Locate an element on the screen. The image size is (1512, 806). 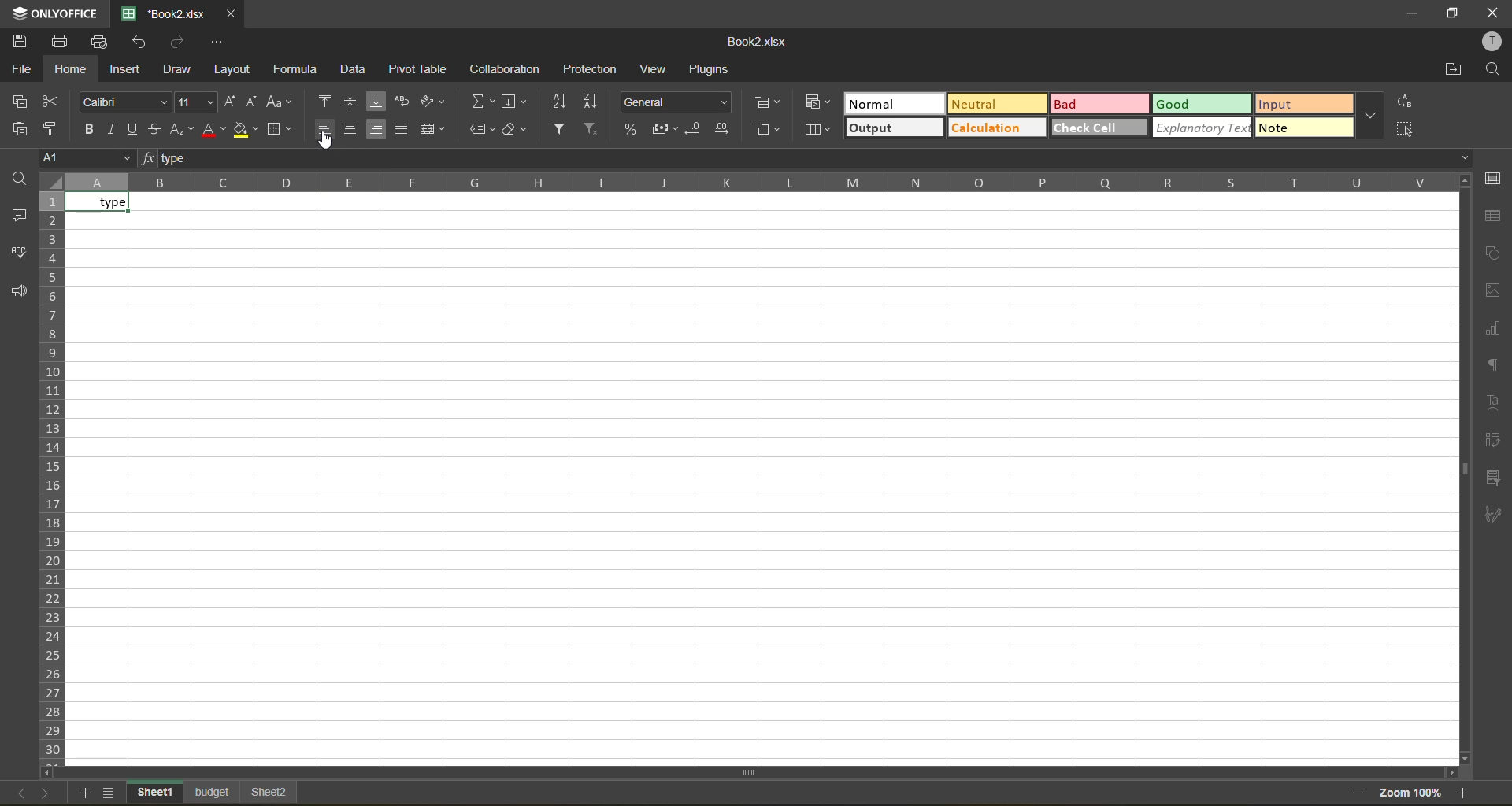
change case is located at coordinates (279, 103).